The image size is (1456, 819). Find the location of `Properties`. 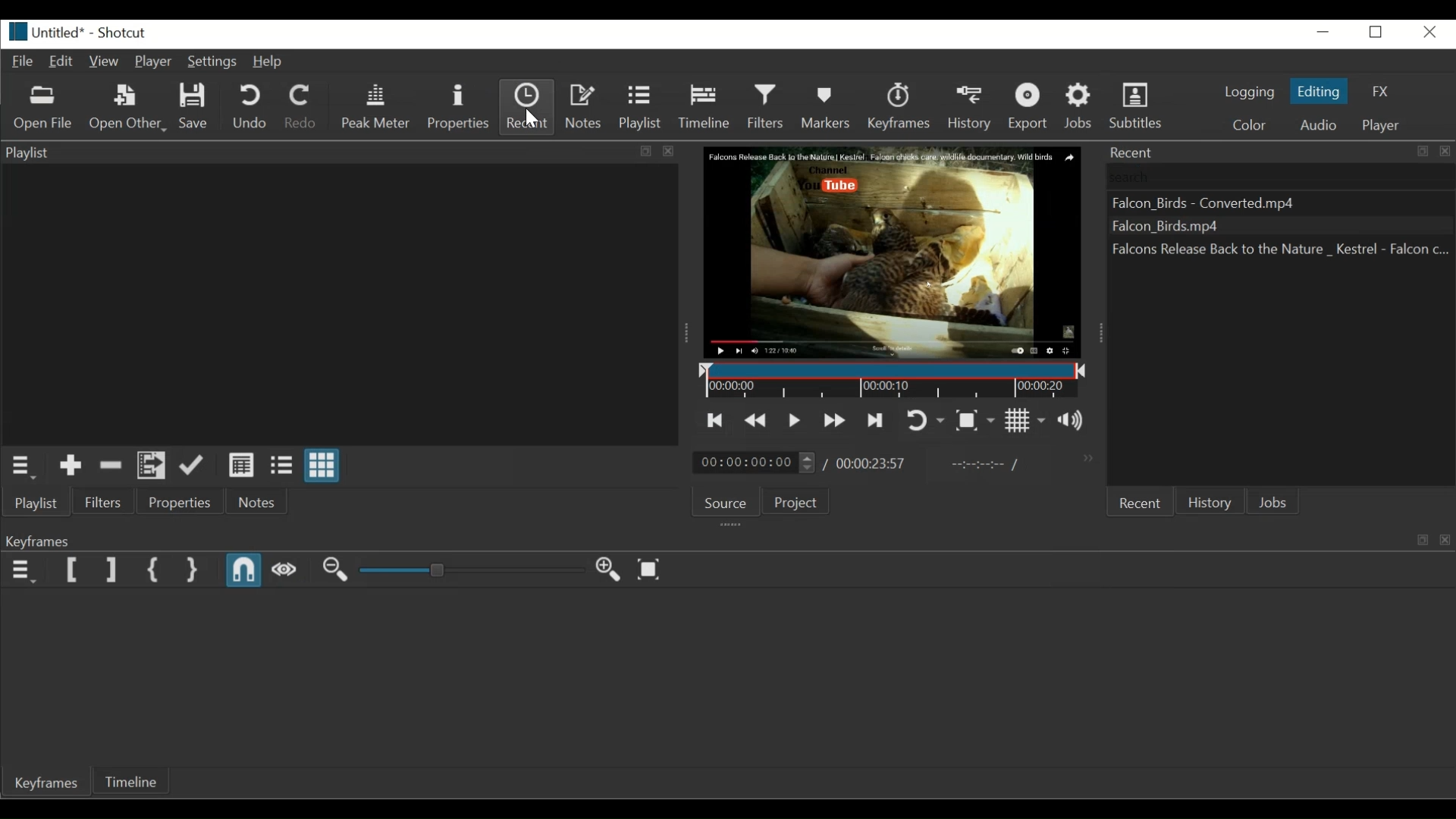

Properties is located at coordinates (457, 106).